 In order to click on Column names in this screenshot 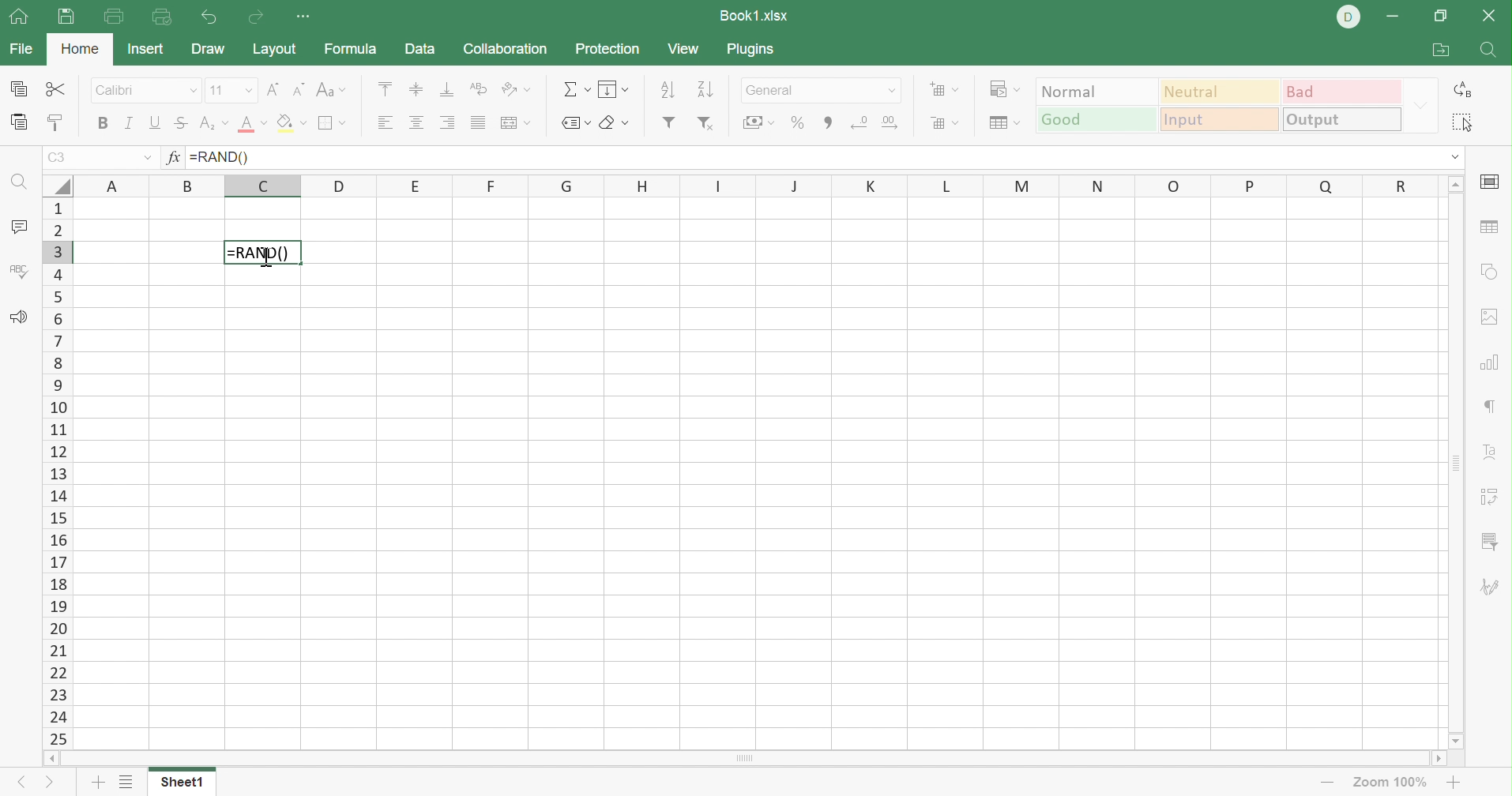, I will do `click(760, 184)`.